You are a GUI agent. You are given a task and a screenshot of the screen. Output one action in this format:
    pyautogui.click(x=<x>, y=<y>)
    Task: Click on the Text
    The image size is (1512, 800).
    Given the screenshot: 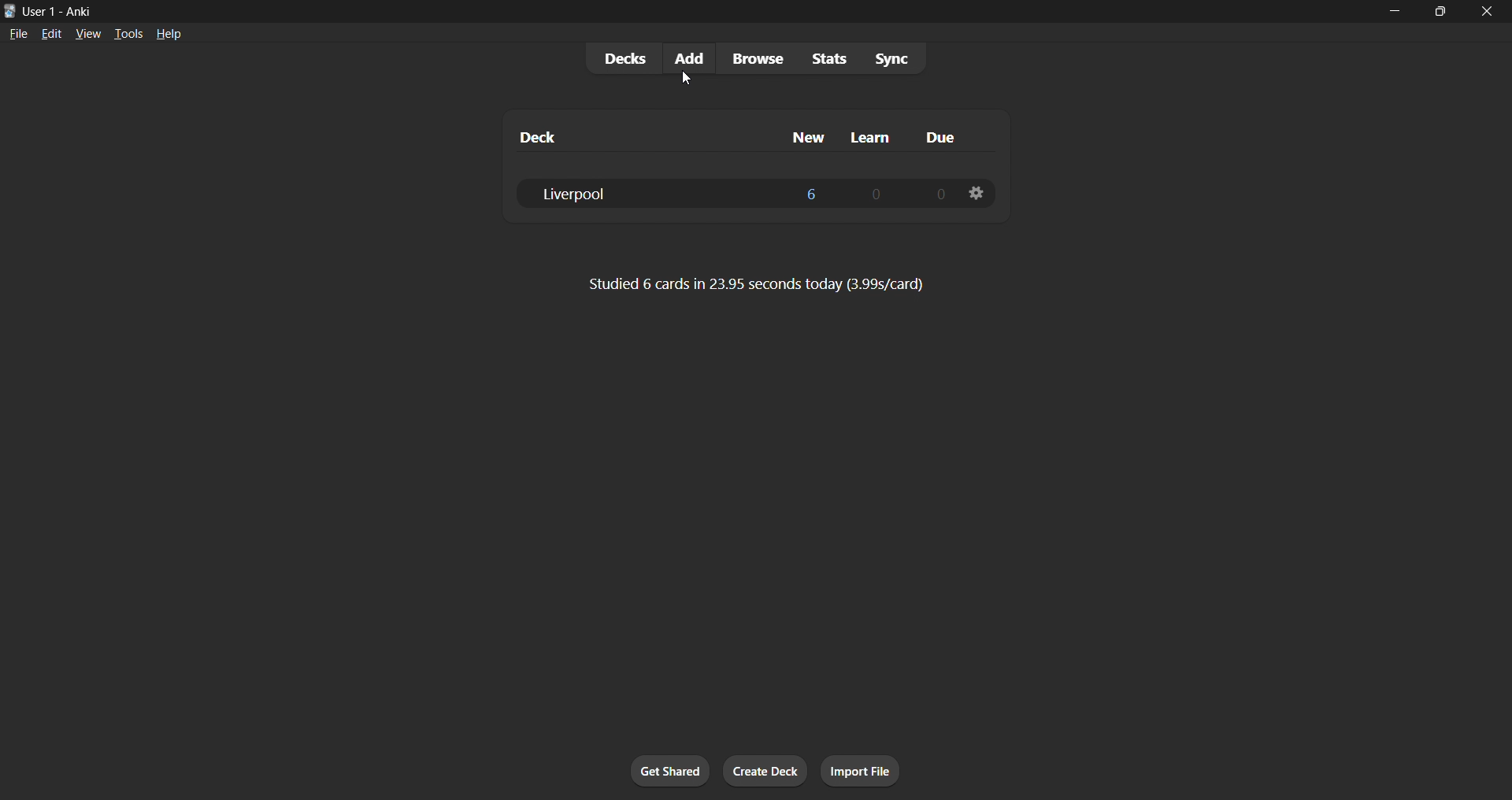 What is the action you would take?
    pyautogui.click(x=60, y=13)
    